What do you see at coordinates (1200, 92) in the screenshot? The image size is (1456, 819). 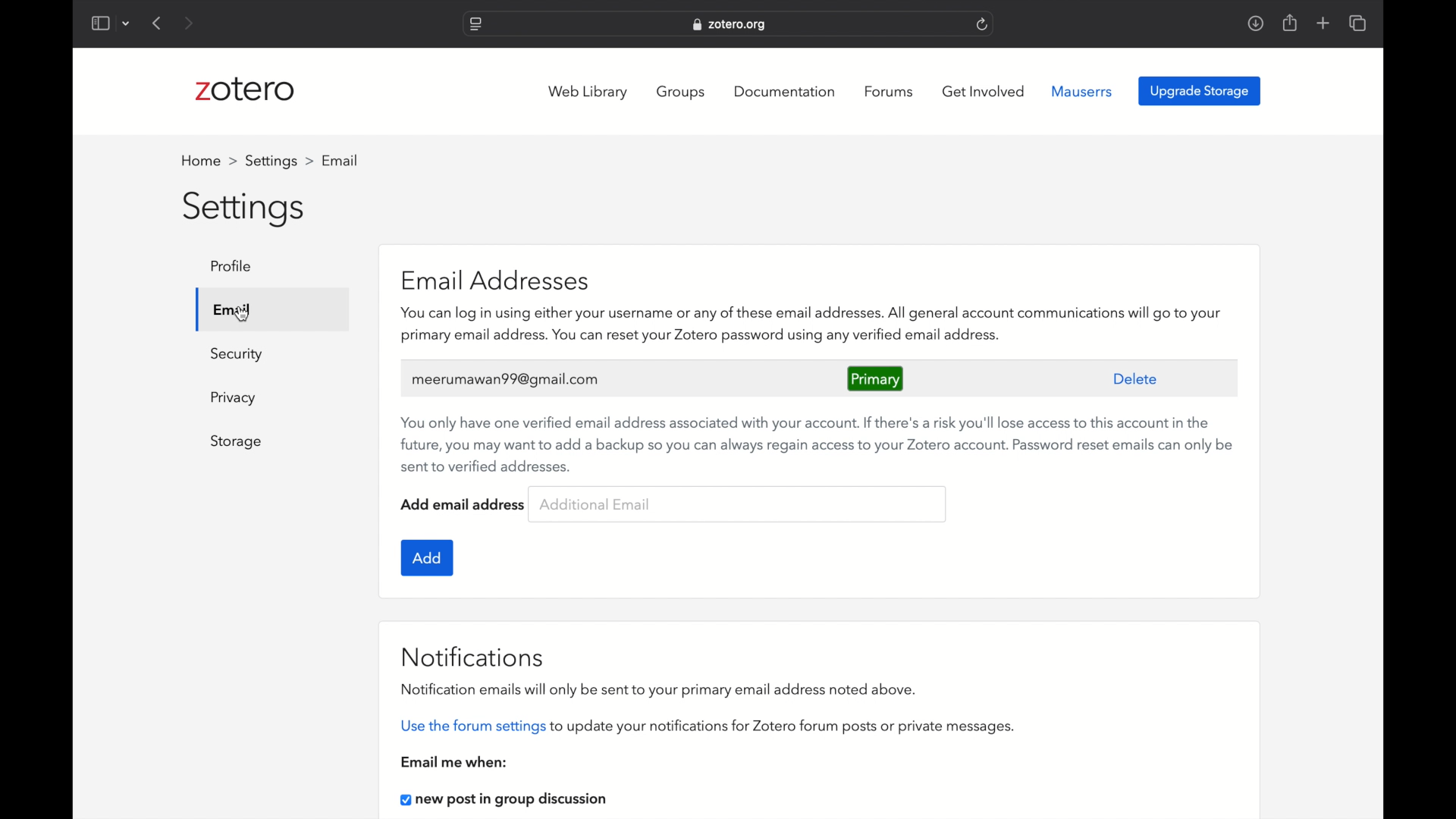 I see `upgrade storage` at bounding box center [1200, 92].